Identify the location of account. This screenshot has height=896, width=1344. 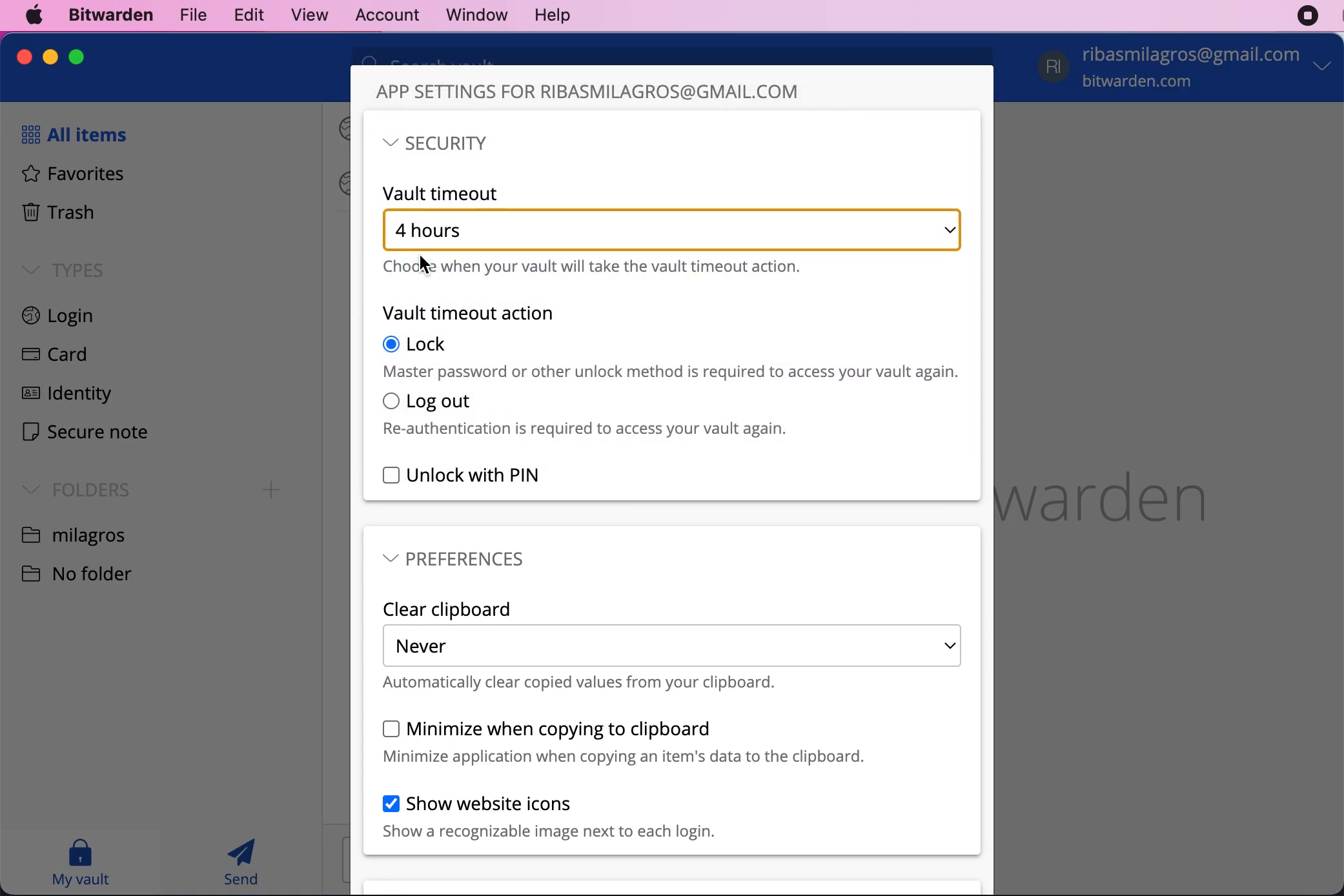
(382, 14).